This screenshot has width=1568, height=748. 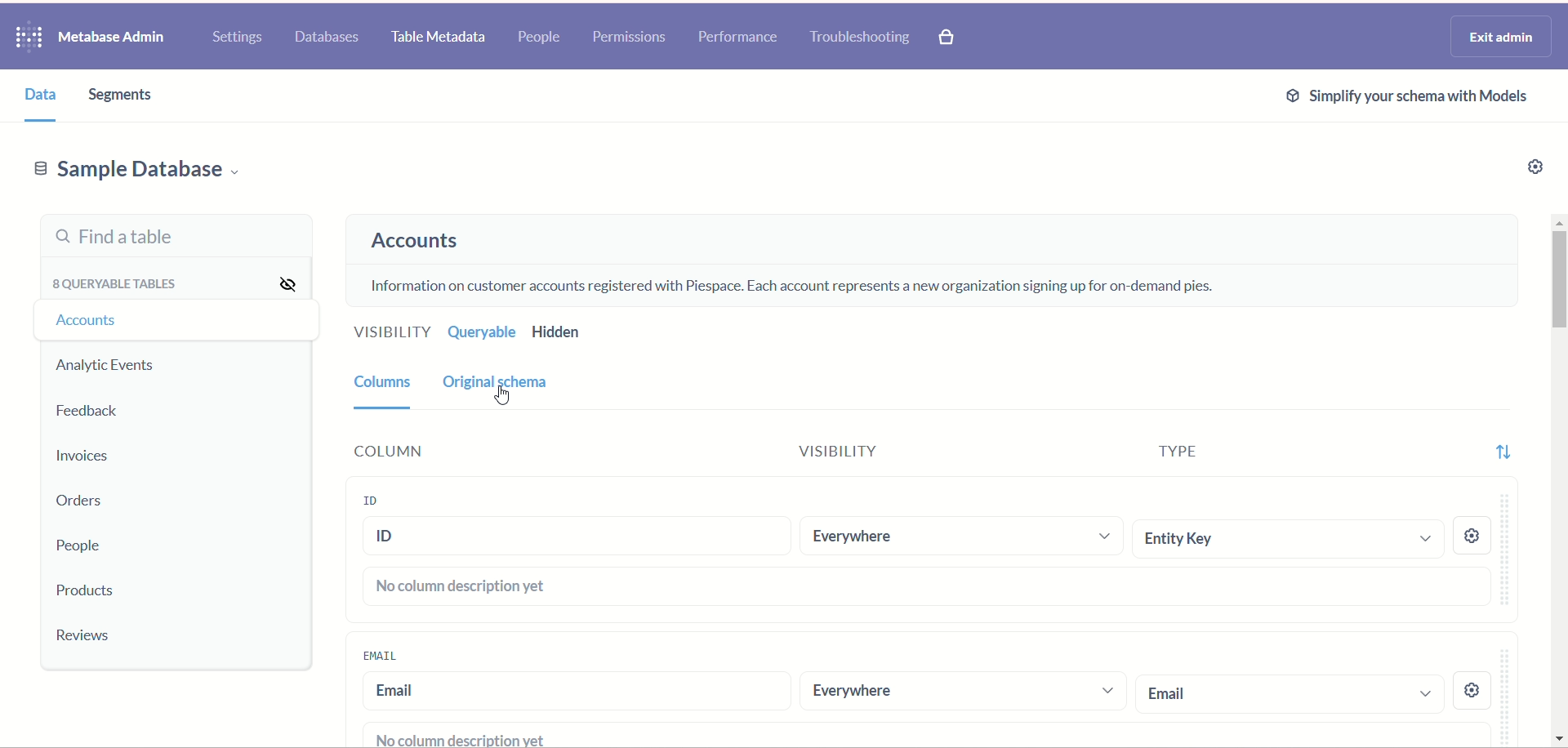 What do you see at coordinates (1289, 696) in the screenshot?
I see `selection` at bounding box center [1289, 696].